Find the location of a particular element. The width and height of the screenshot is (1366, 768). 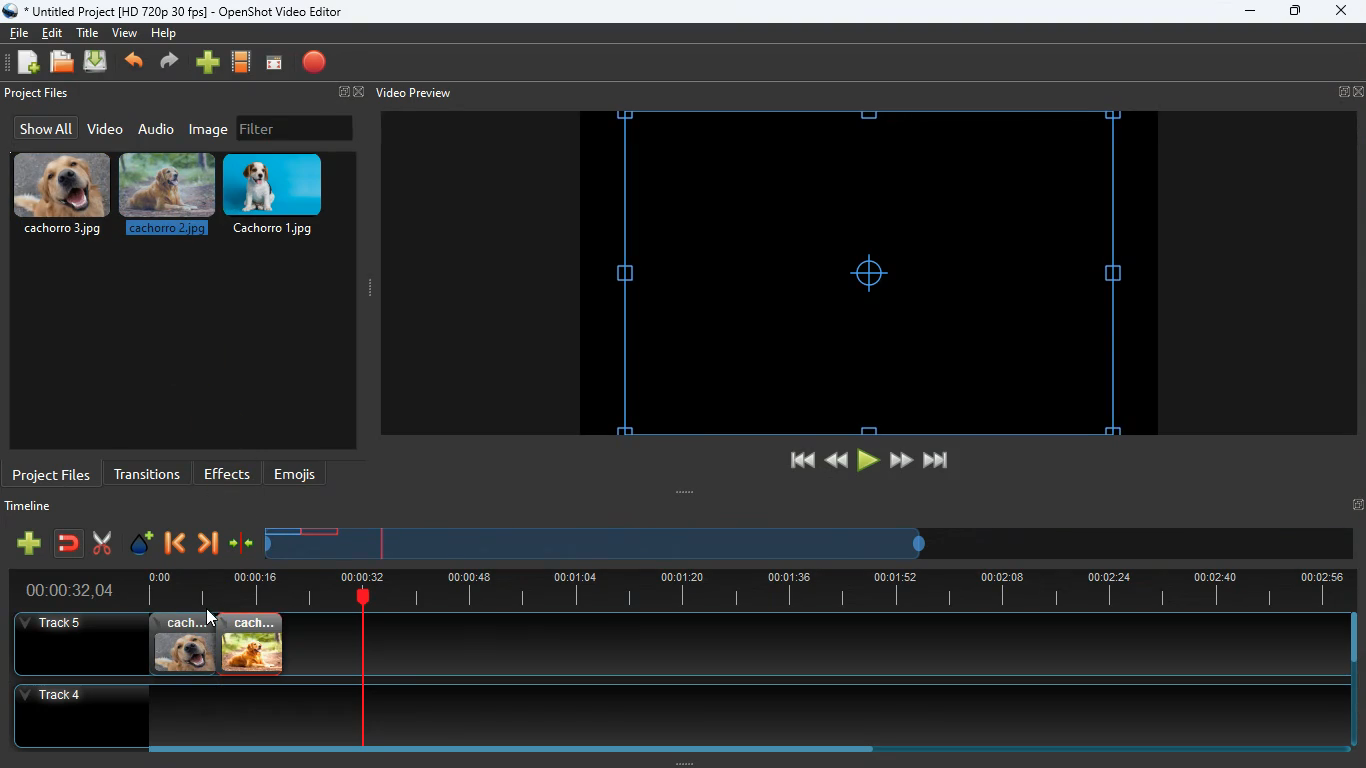

video is located at coordinates (104, 130).